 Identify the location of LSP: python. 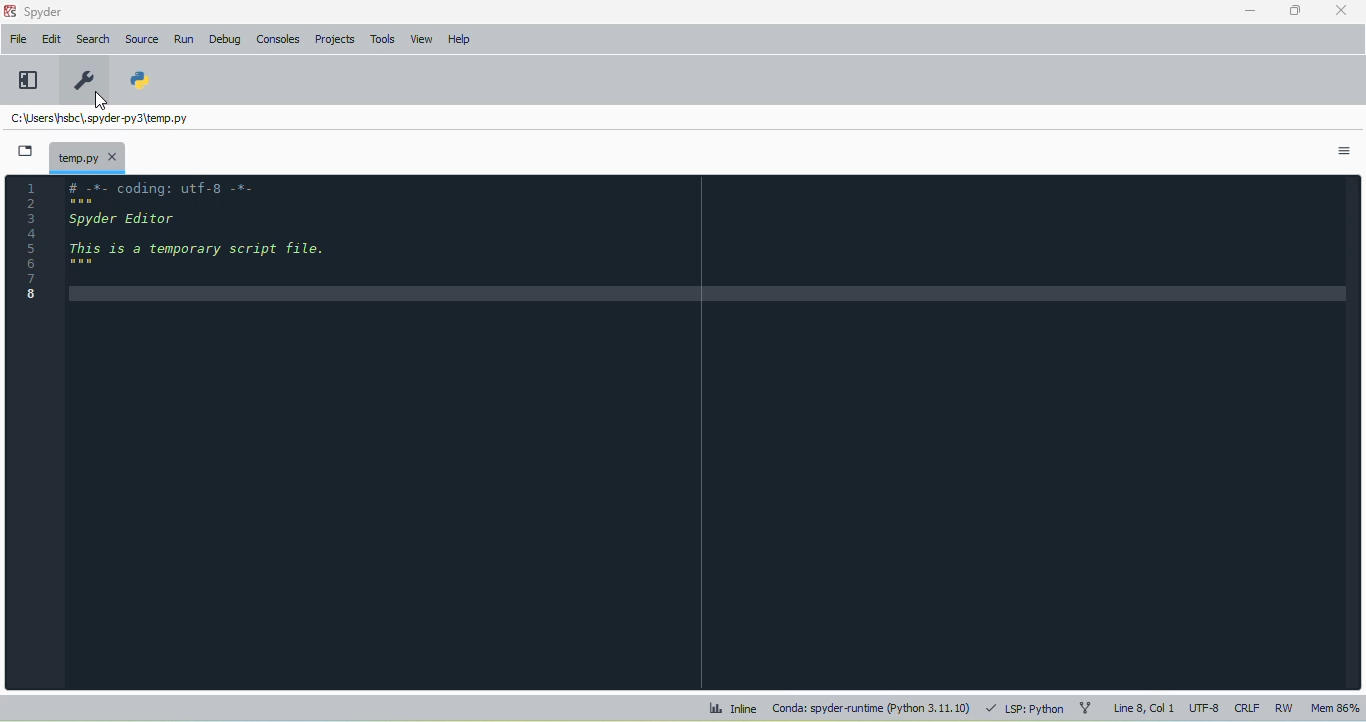
(1026, 709).